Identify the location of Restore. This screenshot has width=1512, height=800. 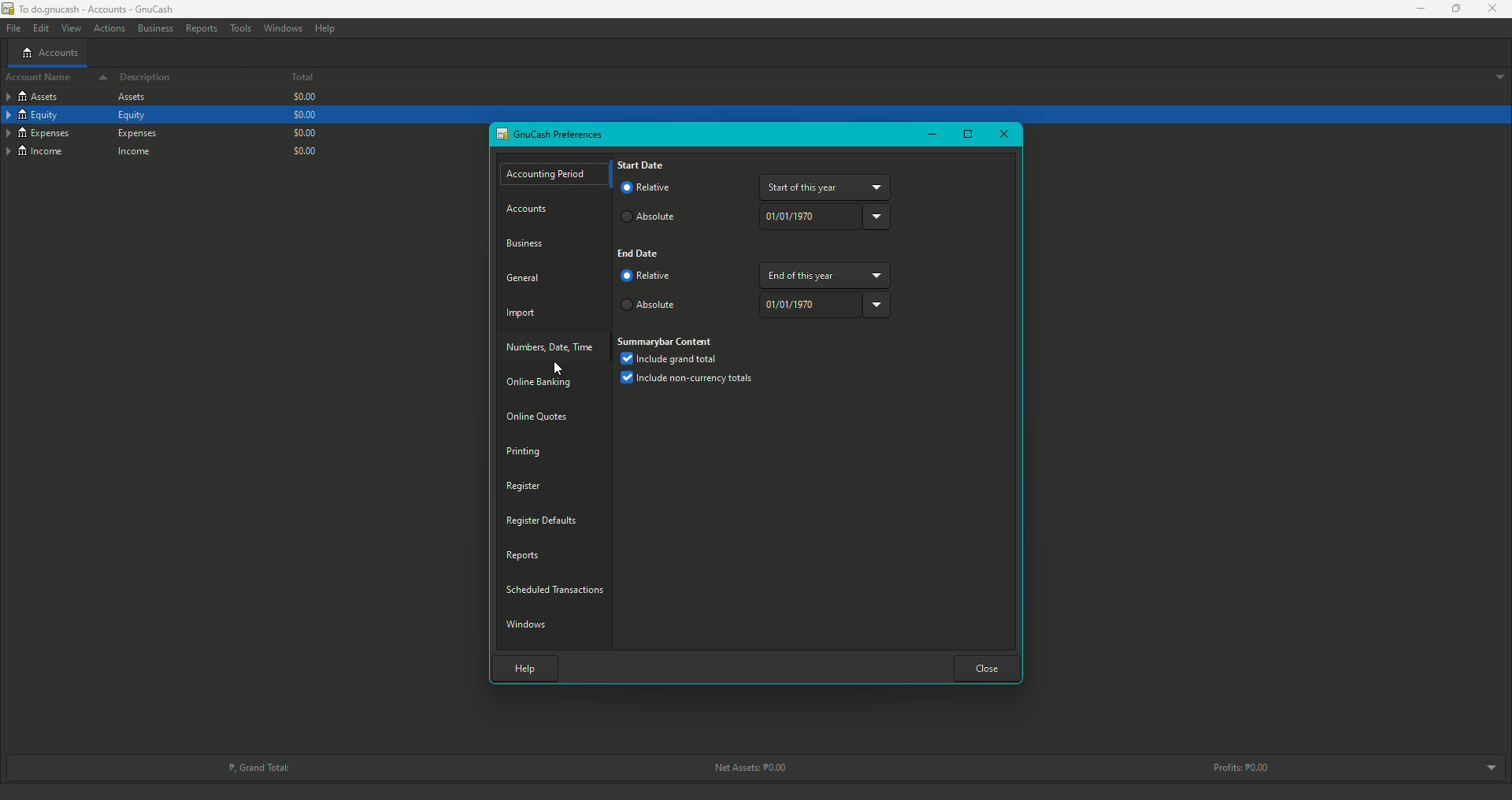
(1449, 9).